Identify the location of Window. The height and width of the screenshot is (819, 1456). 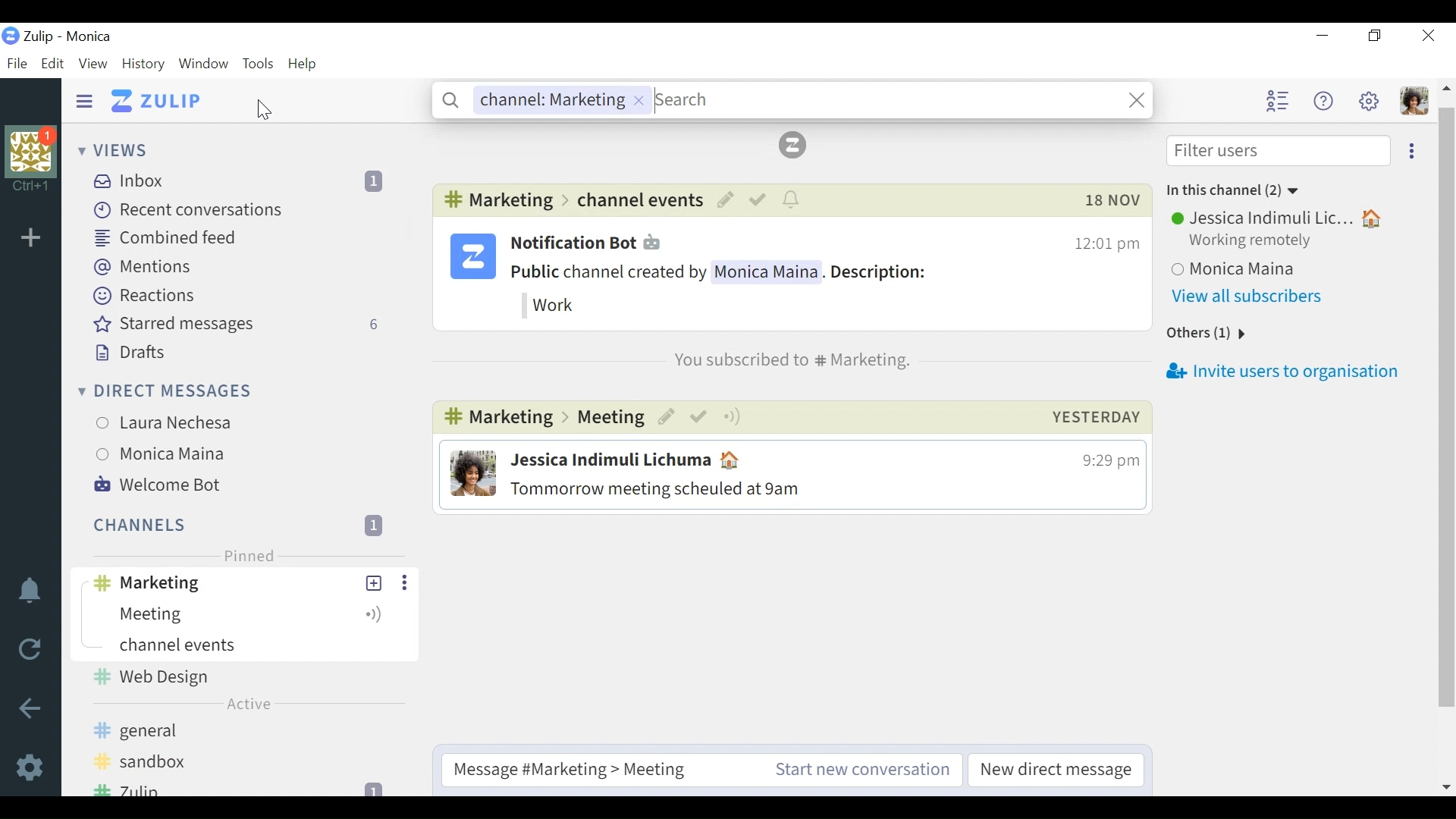
(206, 63).